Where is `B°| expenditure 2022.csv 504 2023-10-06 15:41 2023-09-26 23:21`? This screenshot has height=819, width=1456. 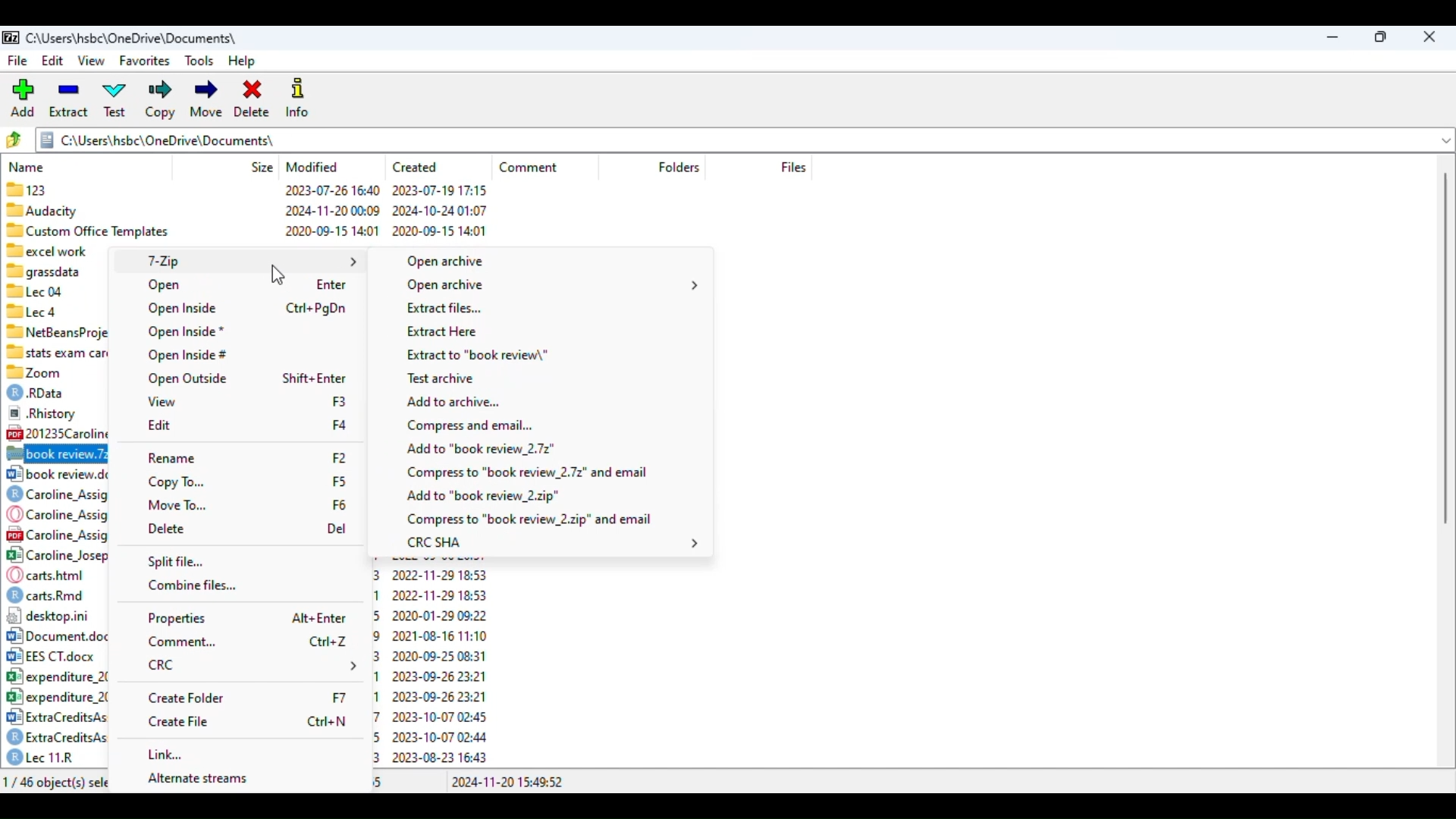 B°| expenditure 2022.csv 504 2023-10-06 15:41 2023-09-26 23:21 is located at coordinates (56, 696).